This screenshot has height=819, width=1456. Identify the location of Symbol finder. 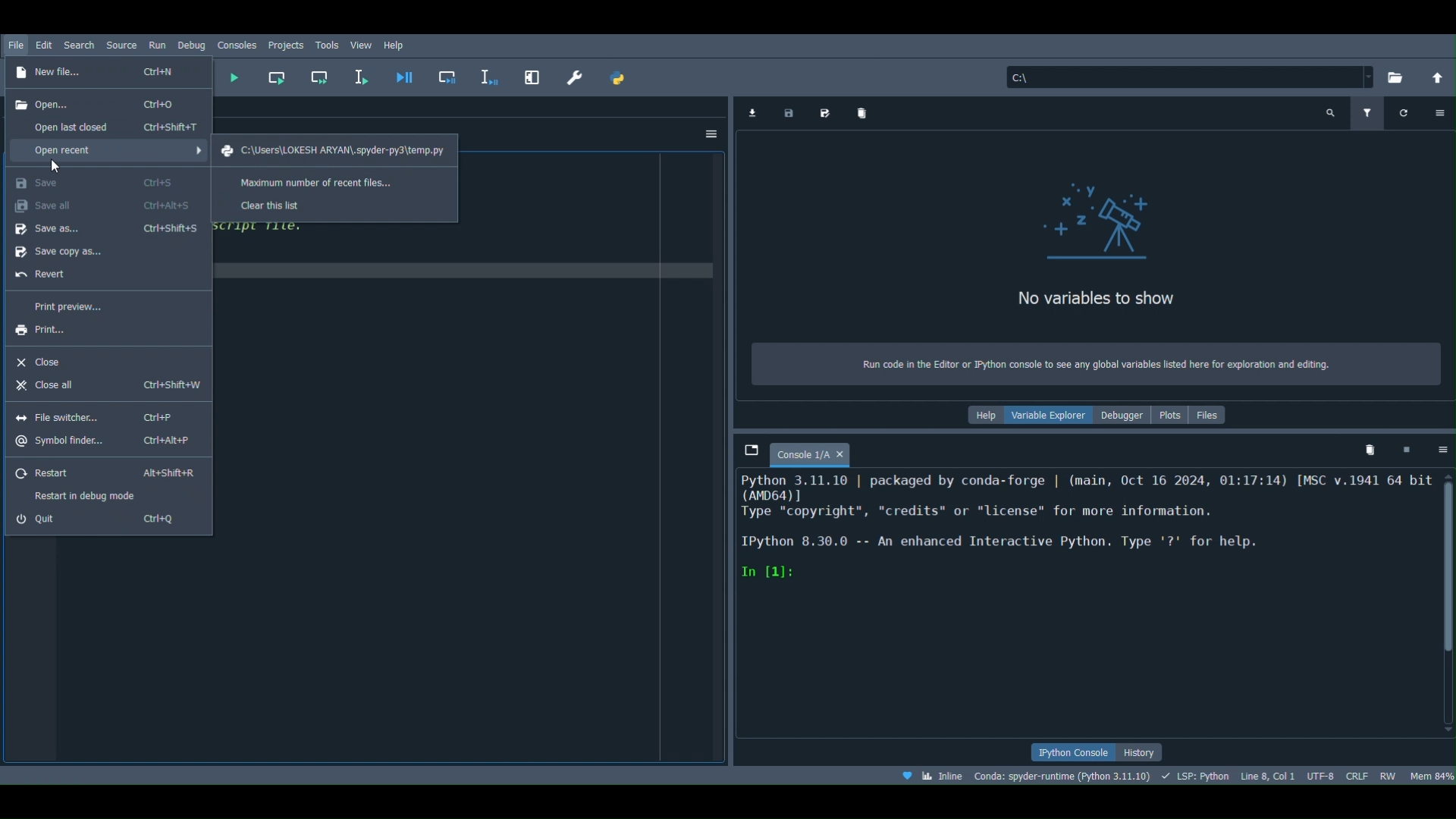
(97, 443).